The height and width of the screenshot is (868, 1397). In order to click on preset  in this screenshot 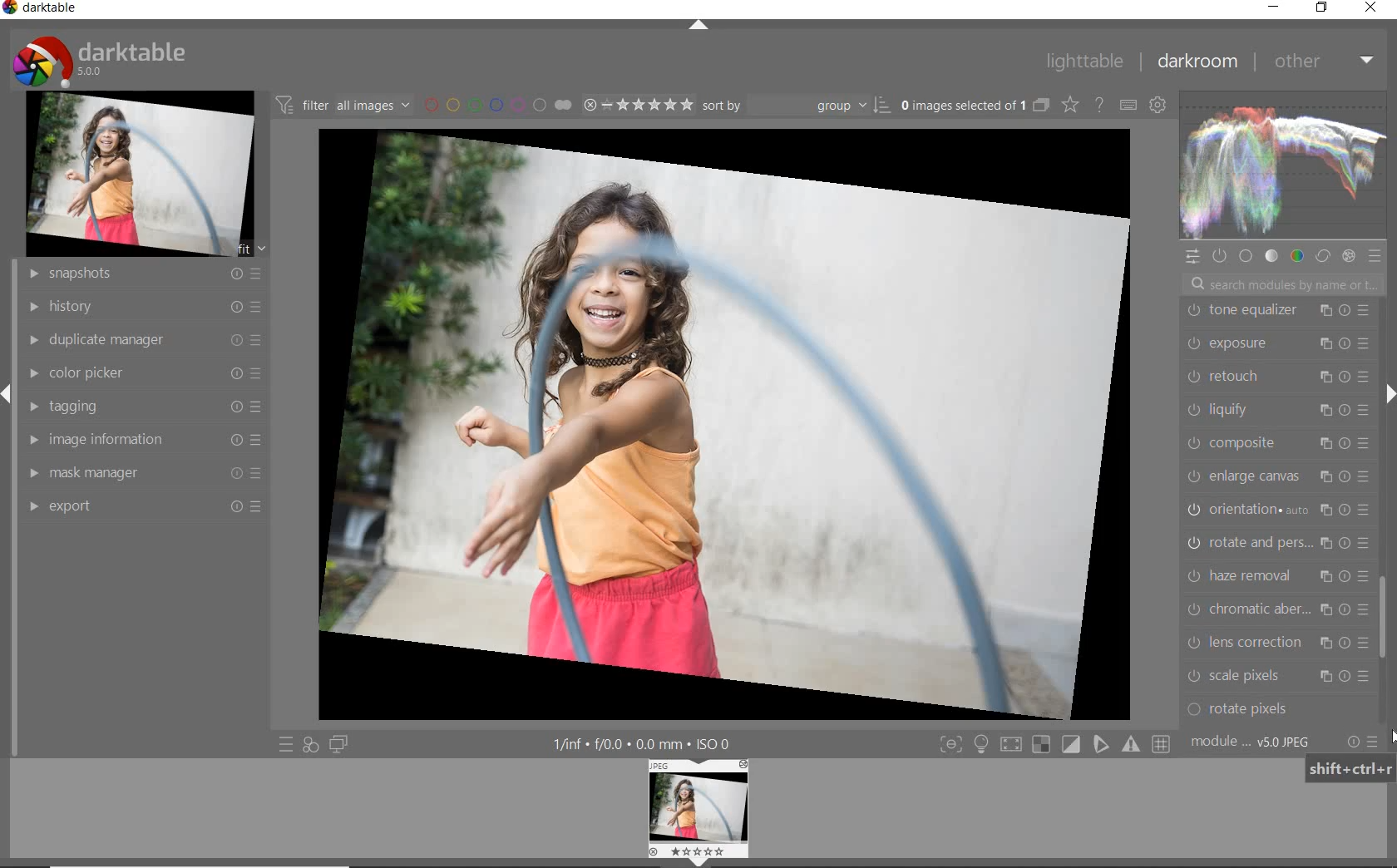, I will do `click(1375, 258)`.